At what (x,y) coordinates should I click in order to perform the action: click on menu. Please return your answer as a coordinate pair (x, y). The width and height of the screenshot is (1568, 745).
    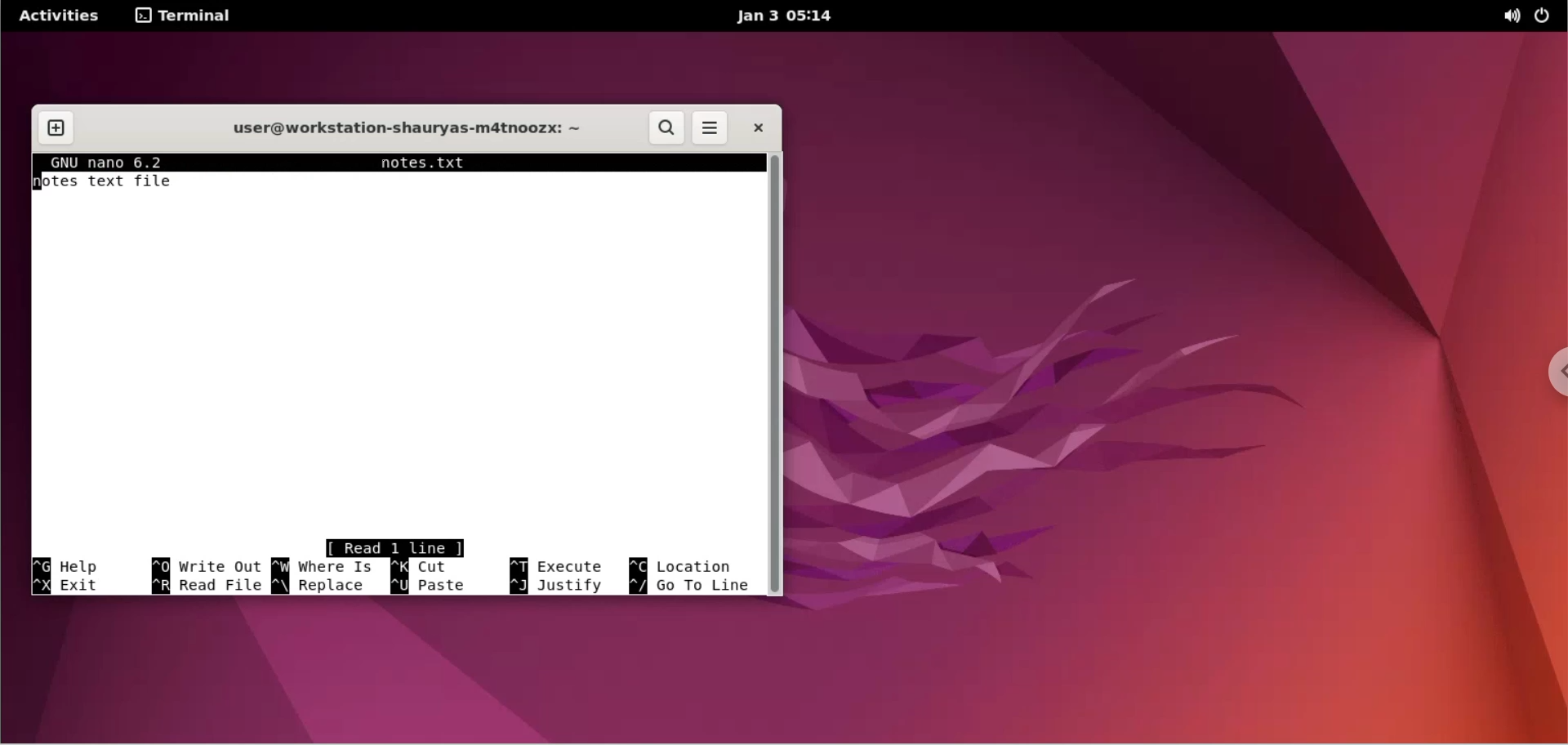
    Looking at the image, I should click on (709, 129).